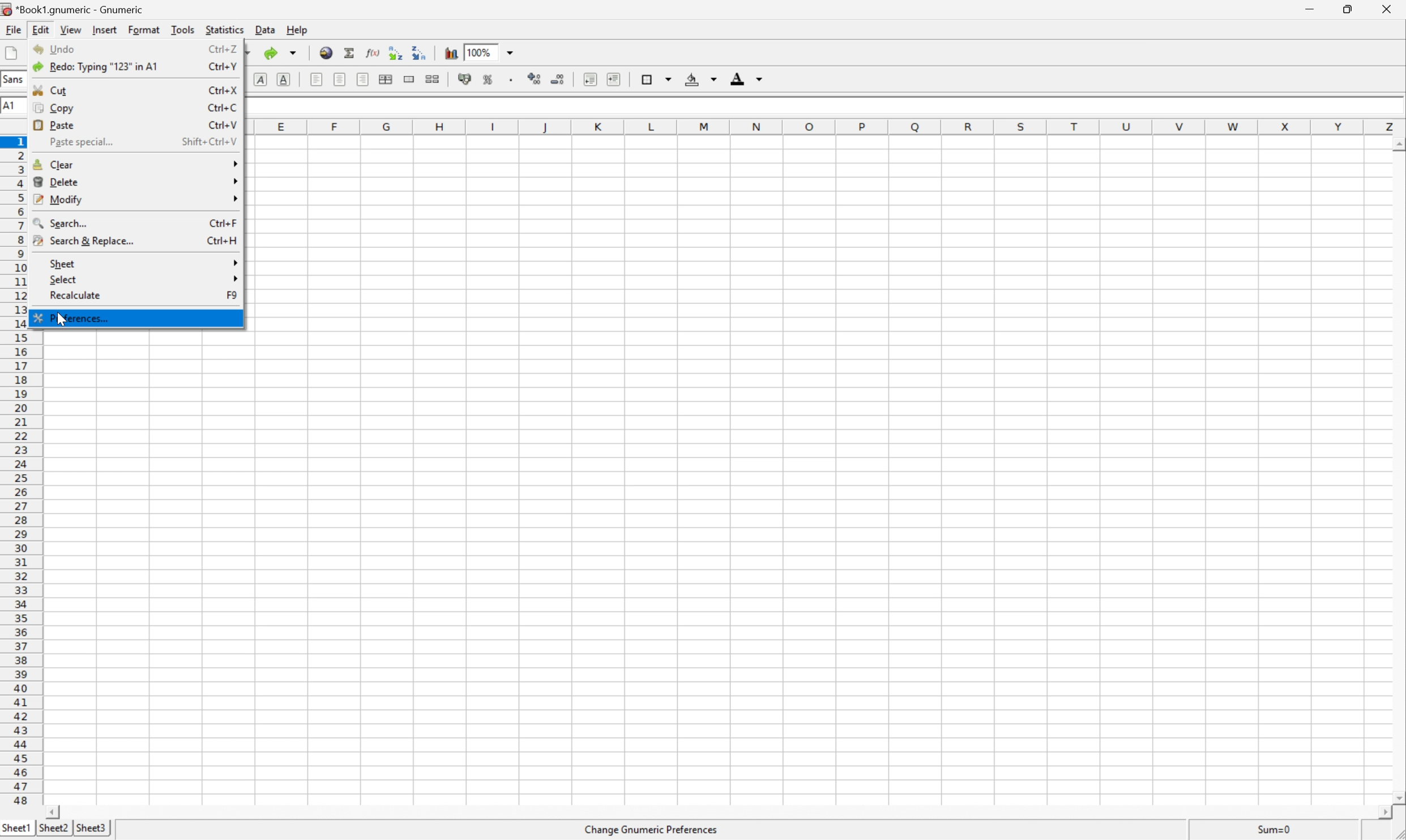 Image resolution: width=1406 pixels, height=840 pixels. I want to click on decrease numbers of decimals displayed, so click(561, 78).